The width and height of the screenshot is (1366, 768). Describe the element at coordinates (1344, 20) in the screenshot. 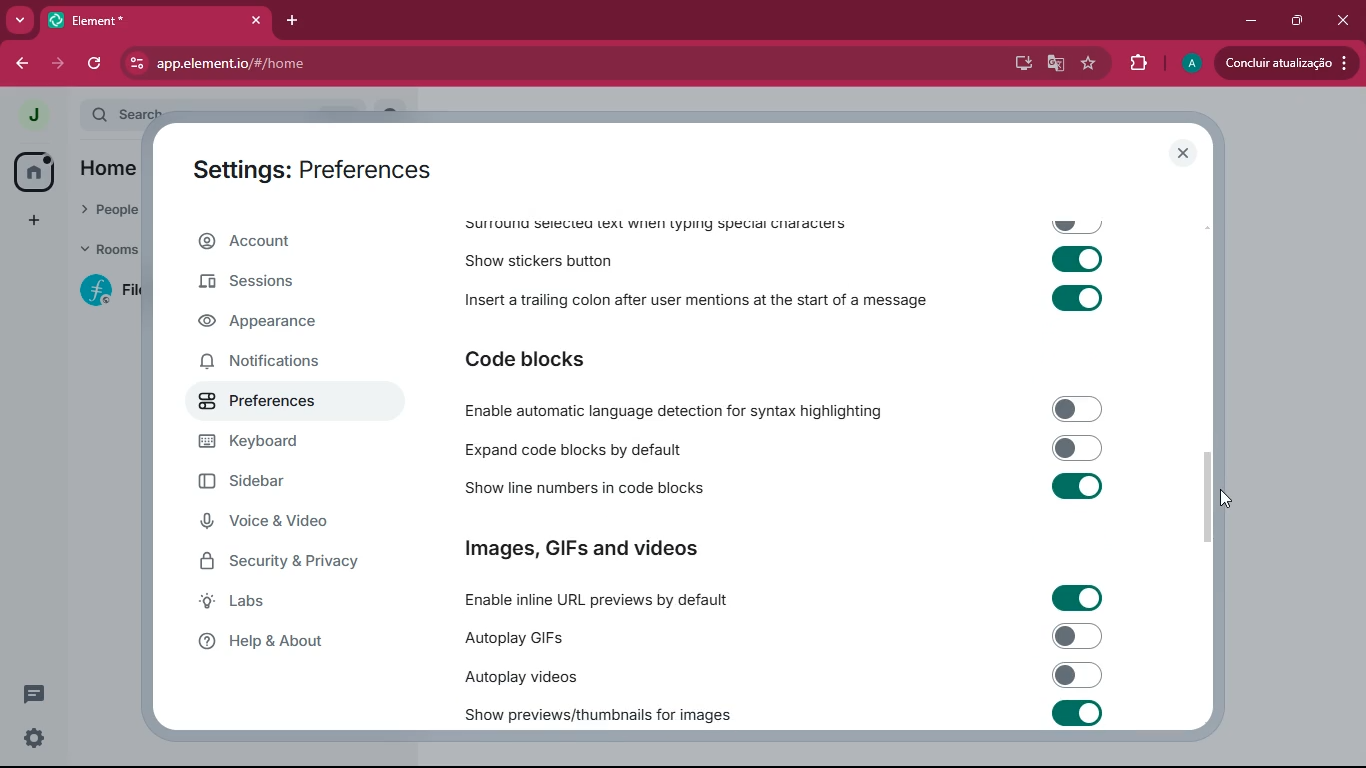

I see `close` at that location.